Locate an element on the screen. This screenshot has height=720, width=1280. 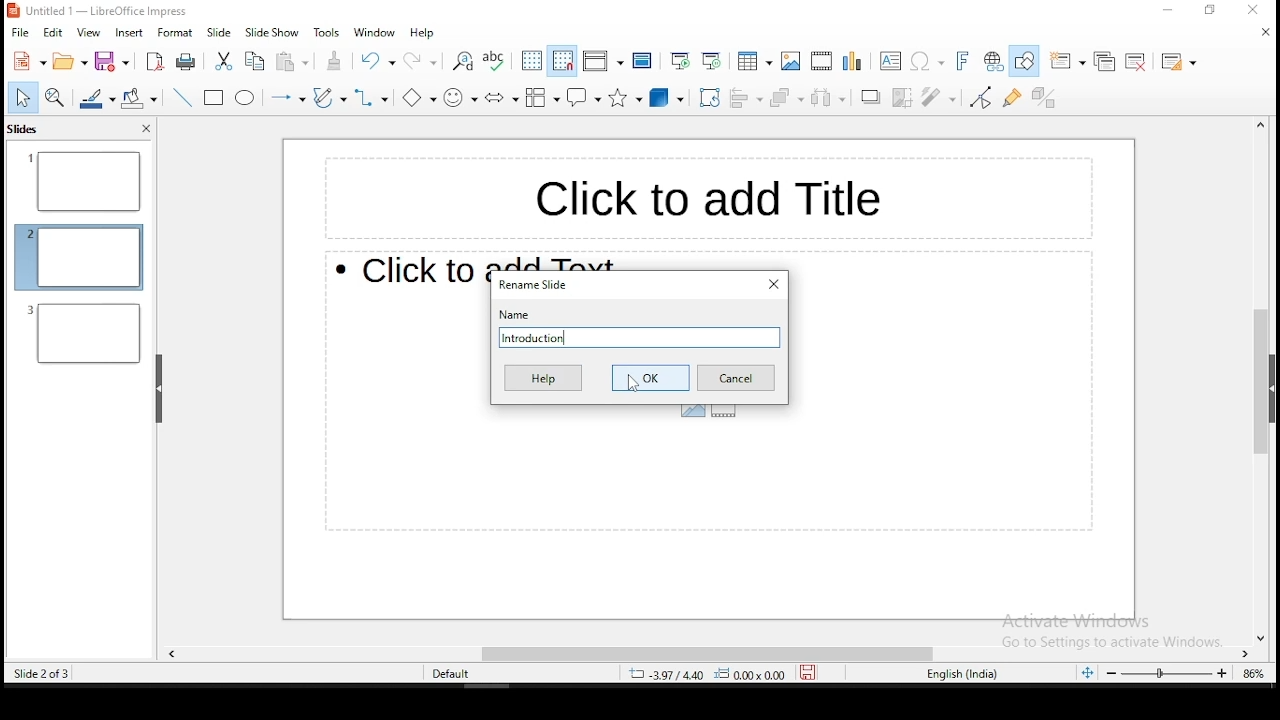
0.00x0.00 is located at coordinates (756, 675).